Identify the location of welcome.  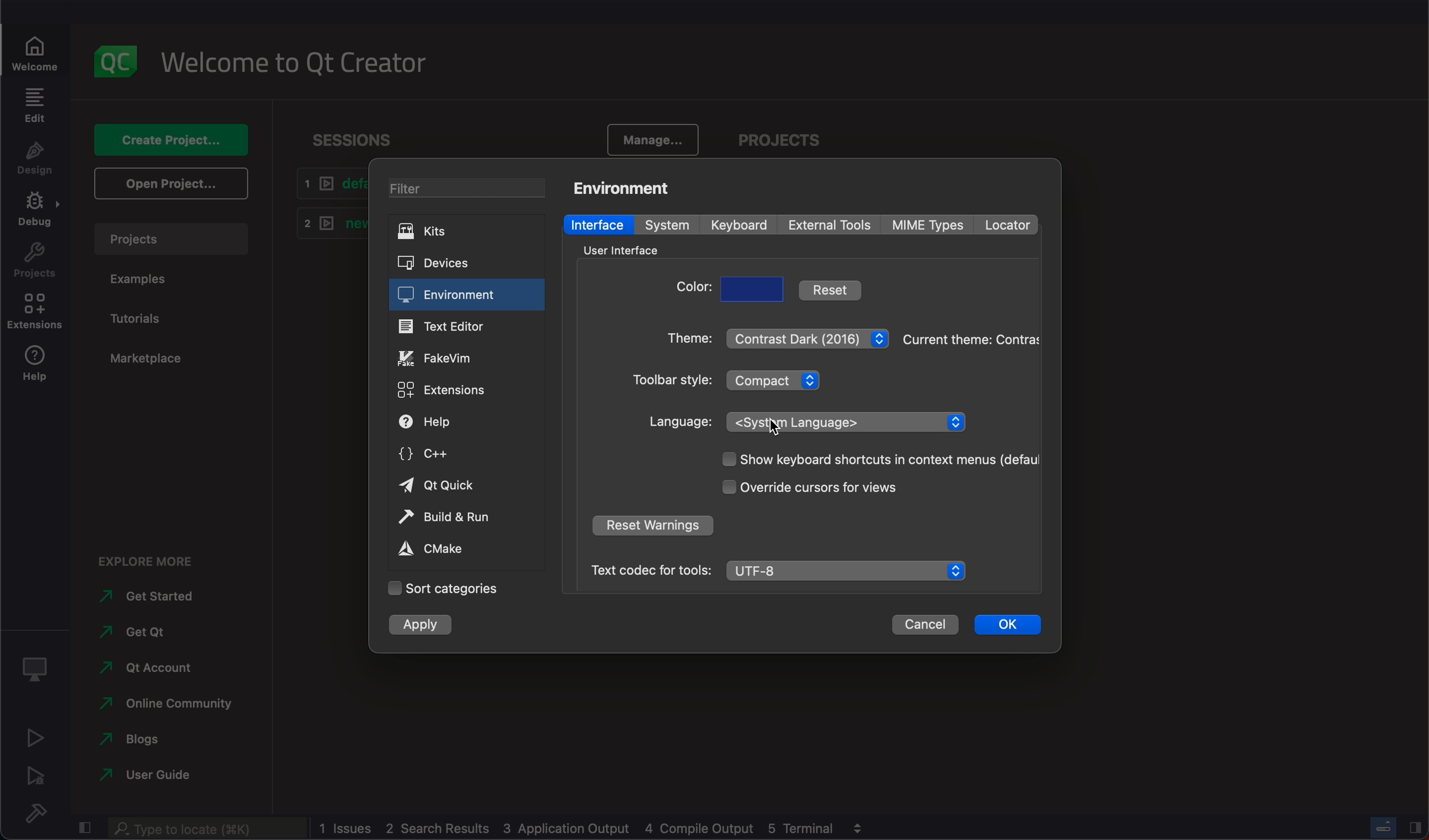
(36, 52).